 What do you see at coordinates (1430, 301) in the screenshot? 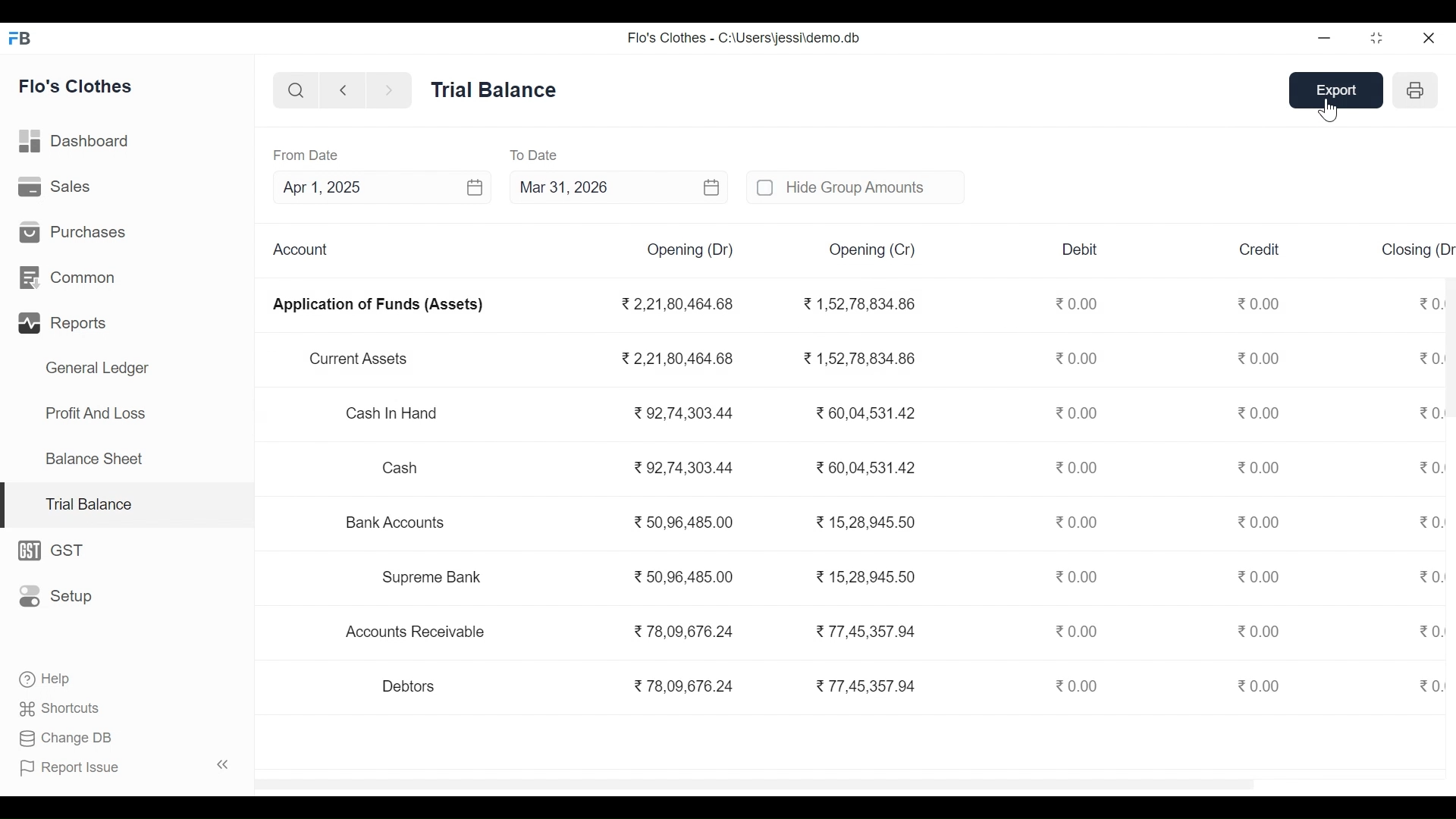
I see `"0.00` at bounding box center [1430, 301].